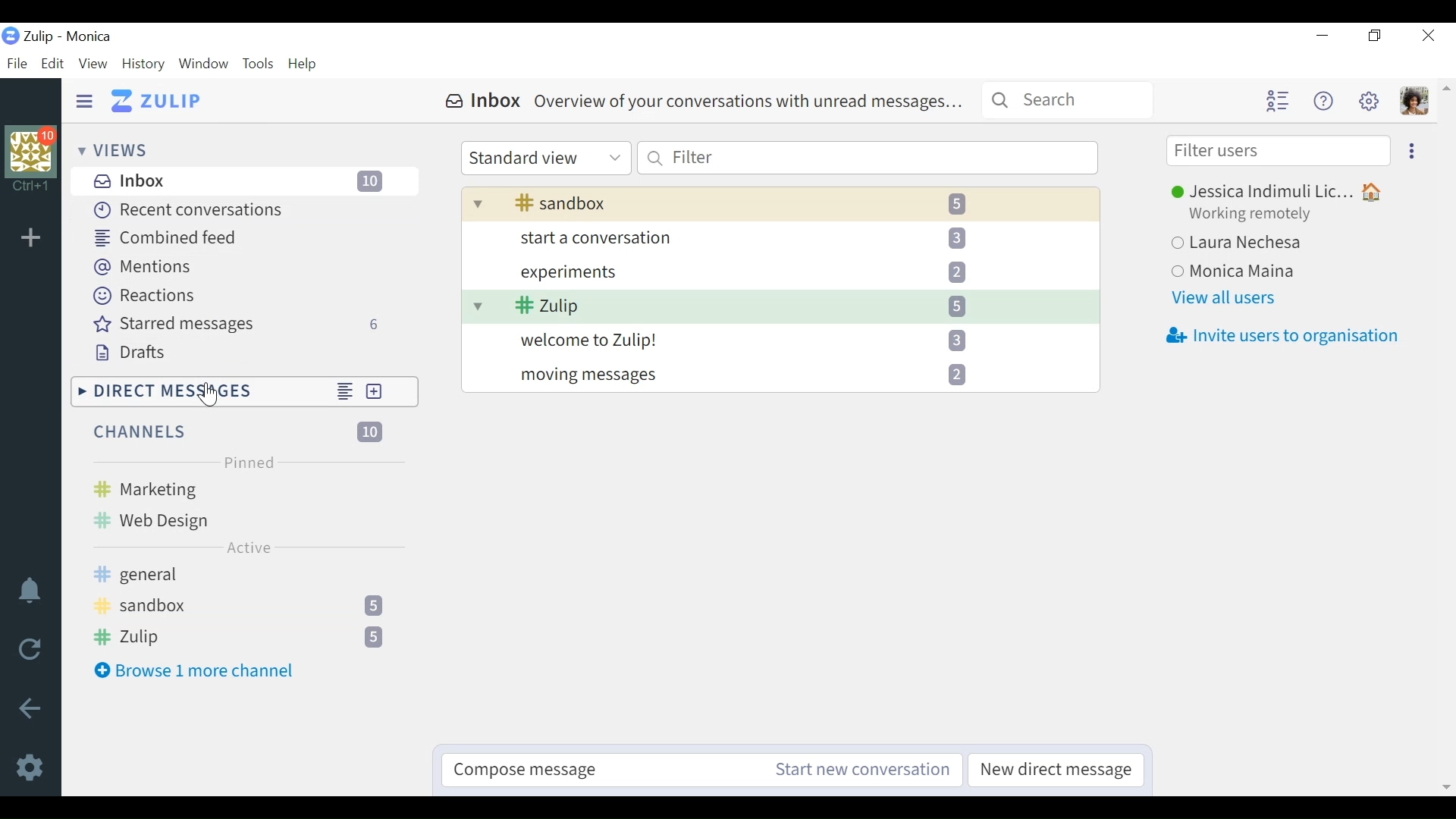 The width and height of the screenshot is (1456, 819). What do you see at coordinates (867, 158) in the screenshot?
I see `Filter` at bounding box center [867, 158].